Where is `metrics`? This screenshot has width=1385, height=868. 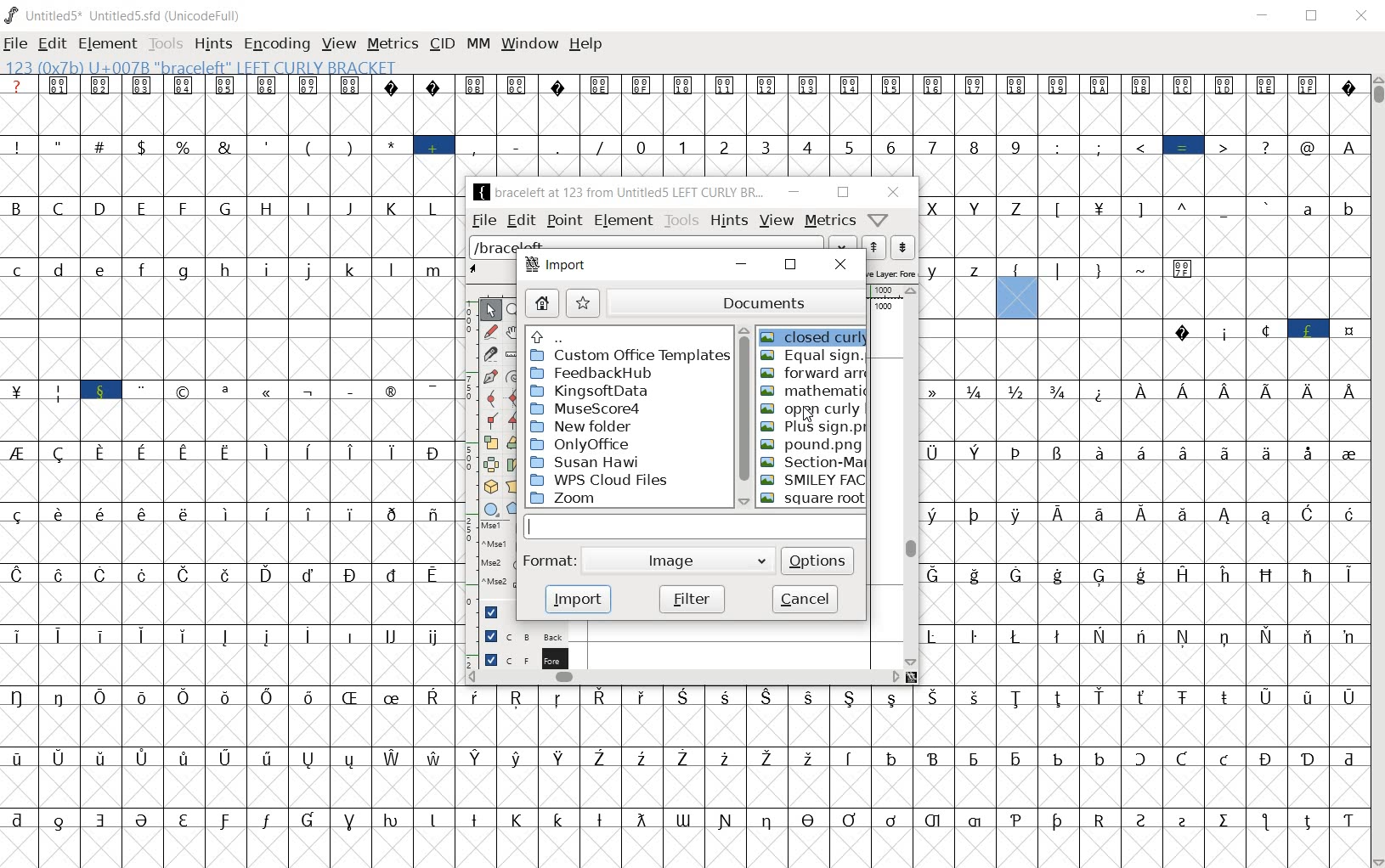
metrics is located at coordinates (392, 43).